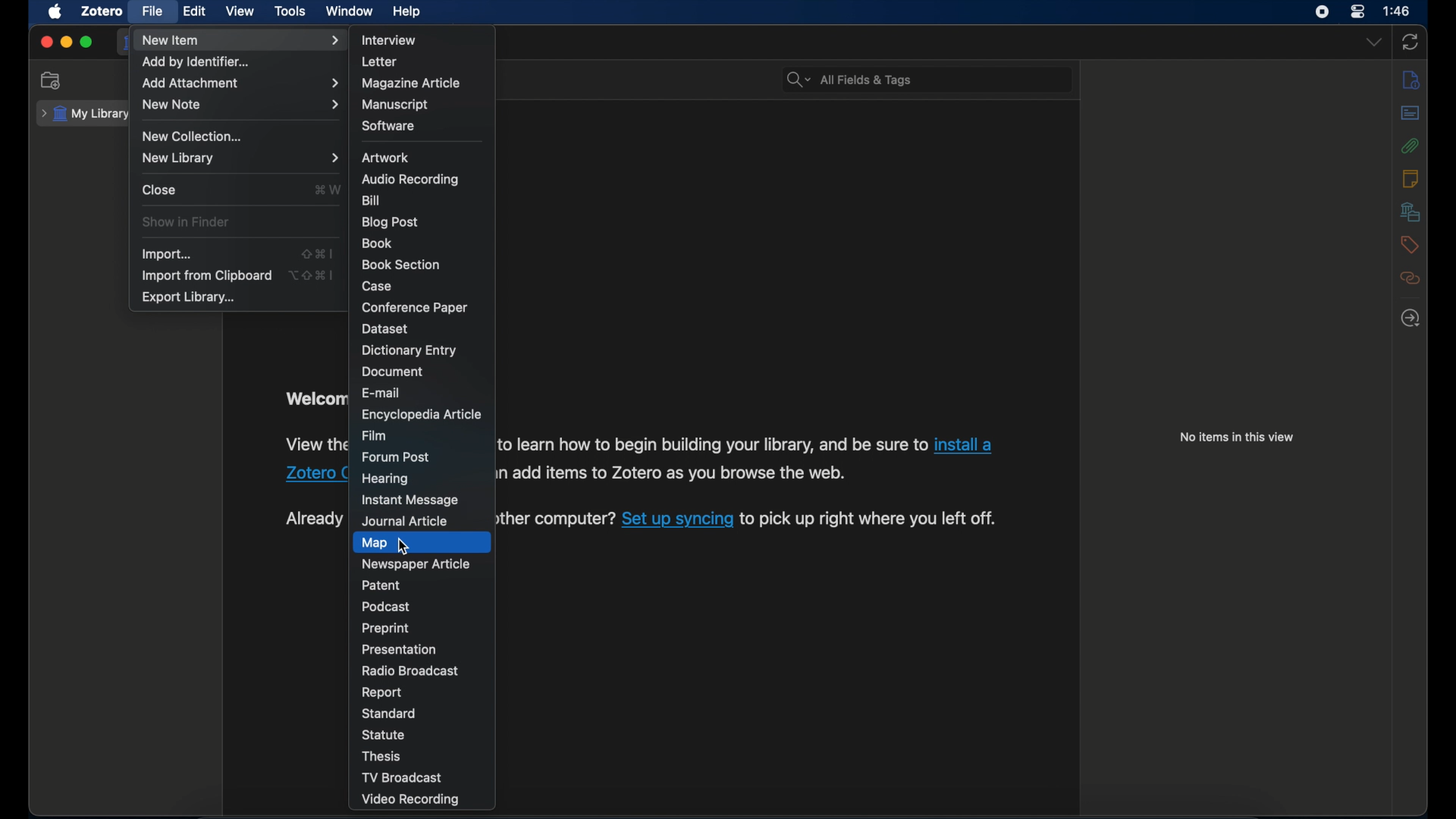 This screenshot has height=819, width=1456. Describe the element at coordinates (710, 444) in the screenshot. I see `to learn how to begin building your library, and be sure to` at that location.